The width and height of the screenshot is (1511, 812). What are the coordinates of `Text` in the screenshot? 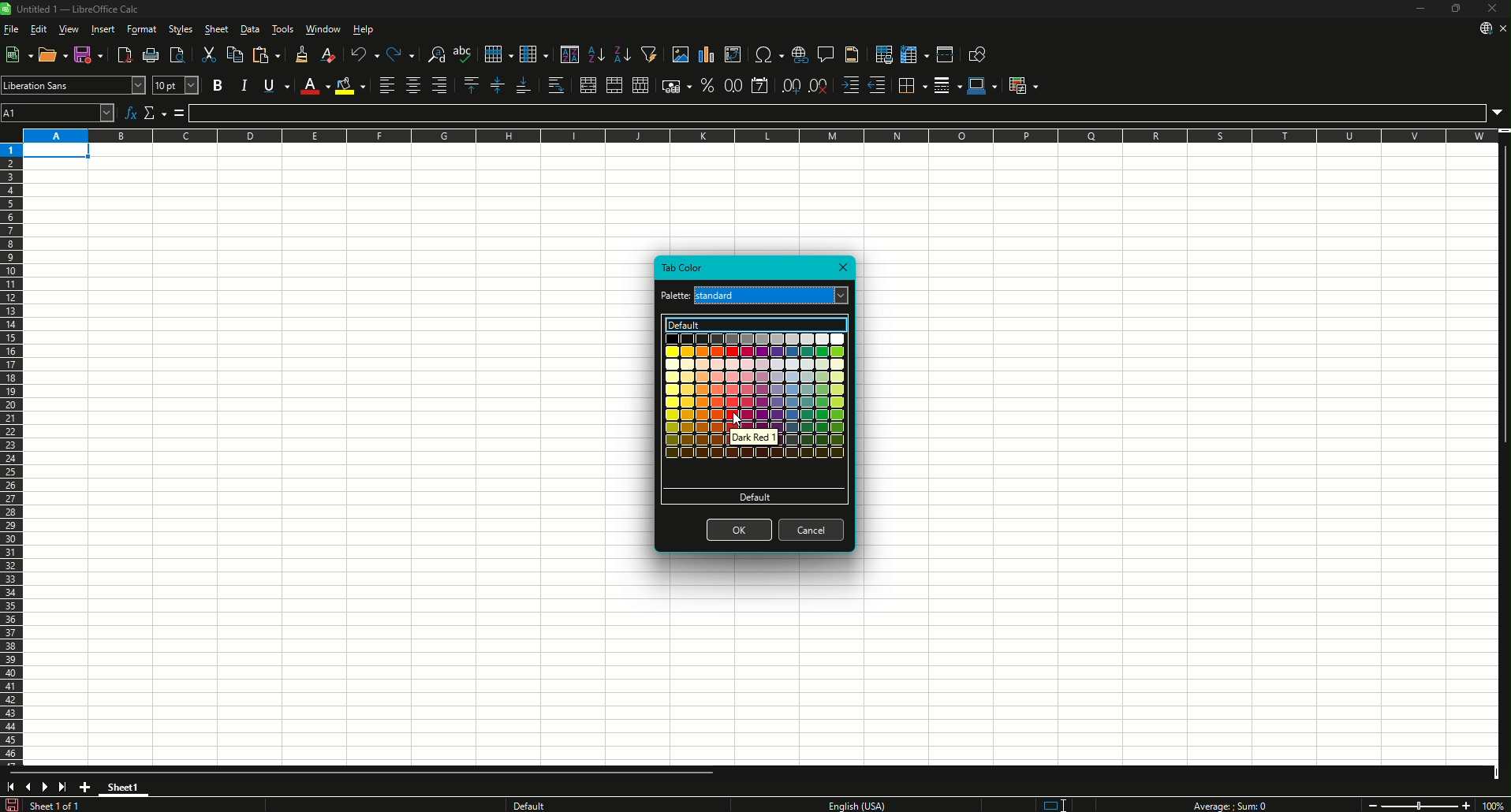 It's located at (580, 804).